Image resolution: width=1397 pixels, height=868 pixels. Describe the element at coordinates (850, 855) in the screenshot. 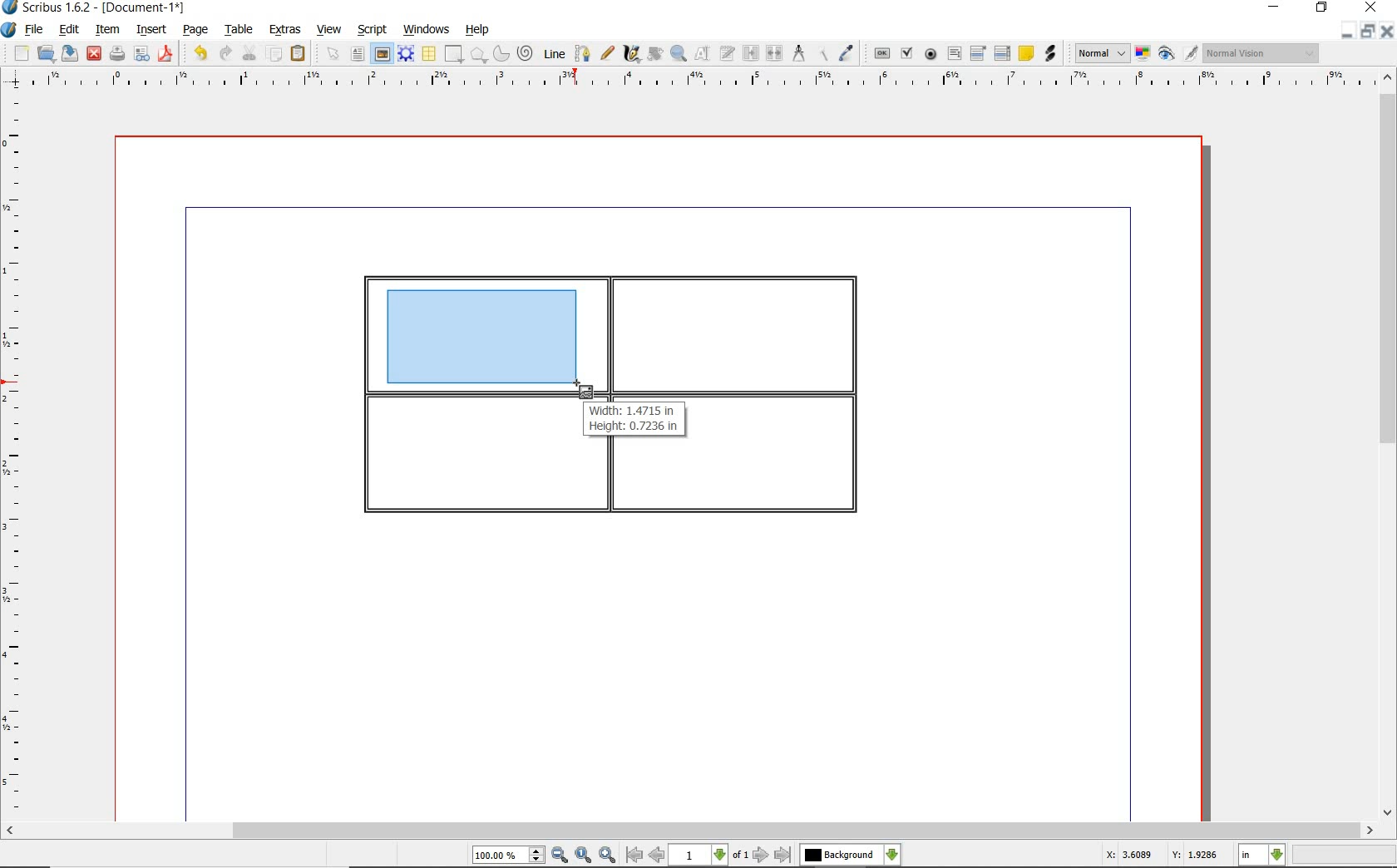

I see `select the current layer` at that location.